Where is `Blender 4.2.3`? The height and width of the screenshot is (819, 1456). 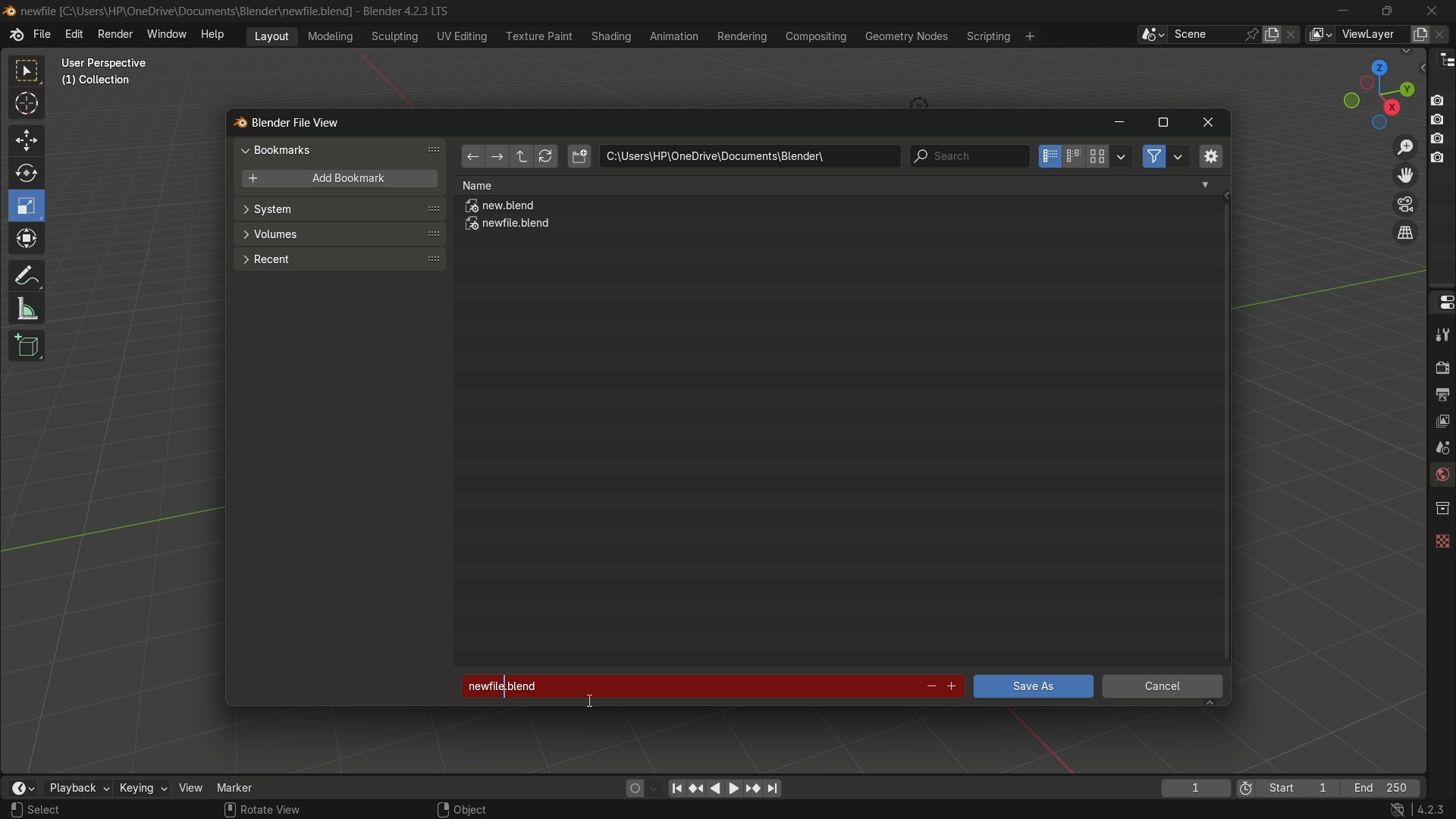 Blender 4.2.3 is located at coordinates (402, 11).